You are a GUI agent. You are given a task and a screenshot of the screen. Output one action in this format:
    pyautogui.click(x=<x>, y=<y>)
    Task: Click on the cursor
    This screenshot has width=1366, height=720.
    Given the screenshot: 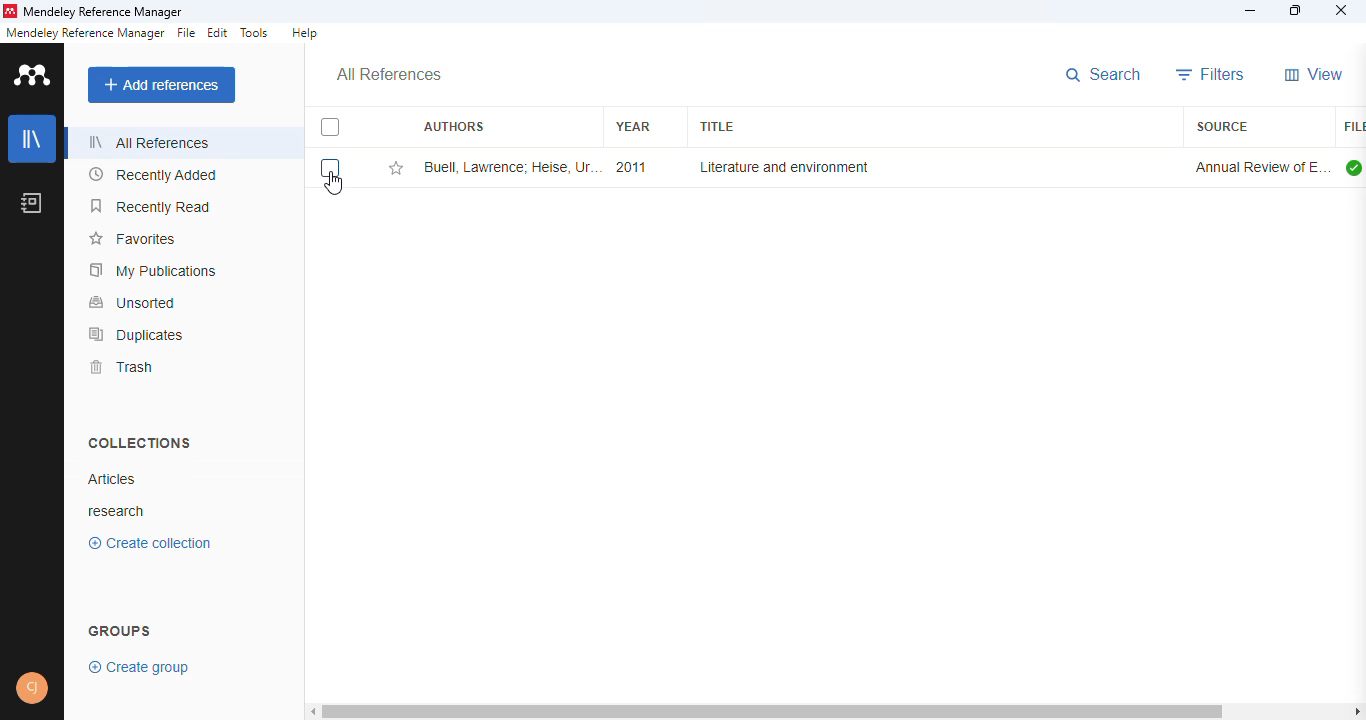 What is the action you would take?
    pyautogui.click(x=335, y=184)
    